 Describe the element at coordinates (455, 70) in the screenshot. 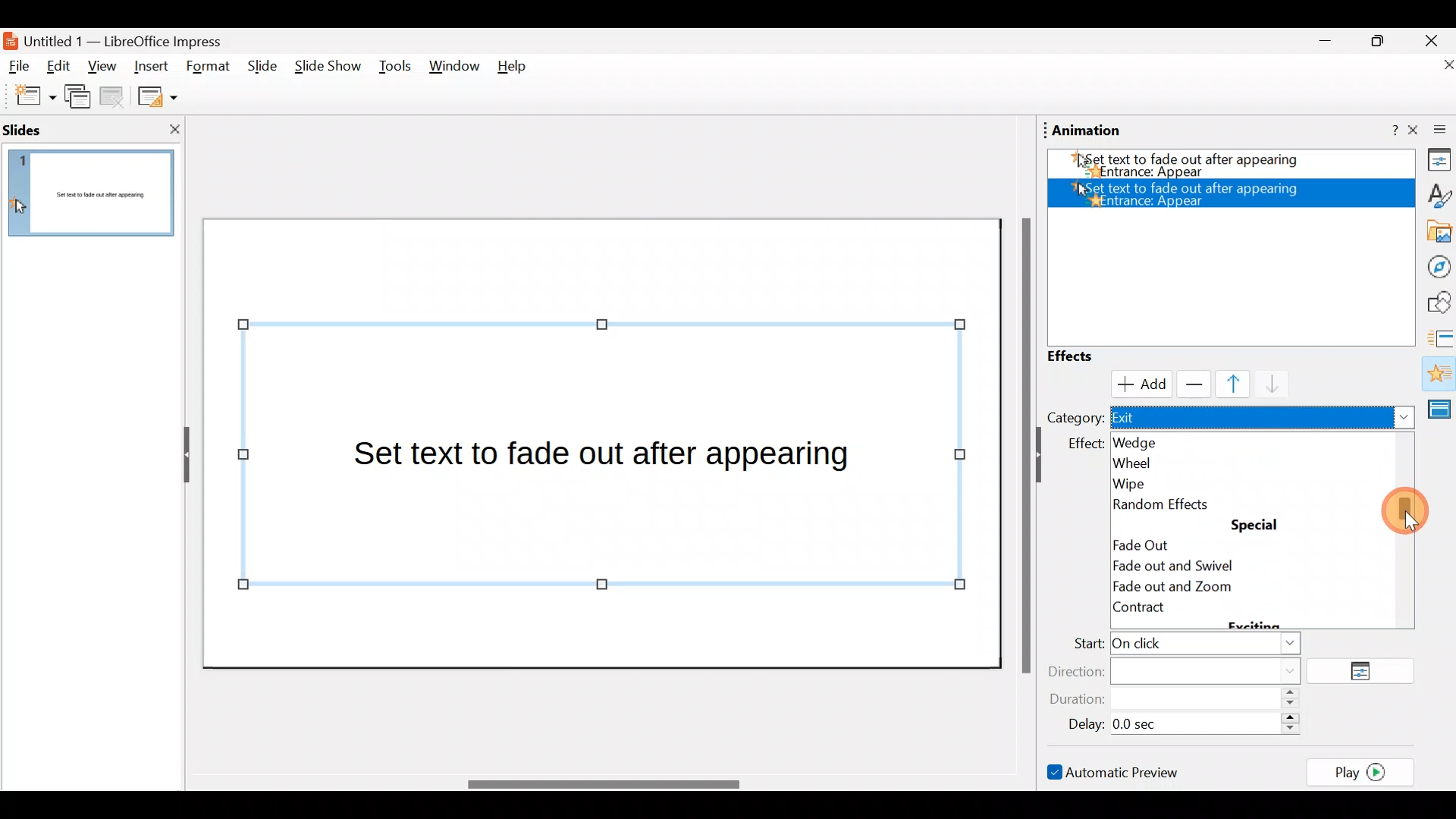

I see `Window` at that location.